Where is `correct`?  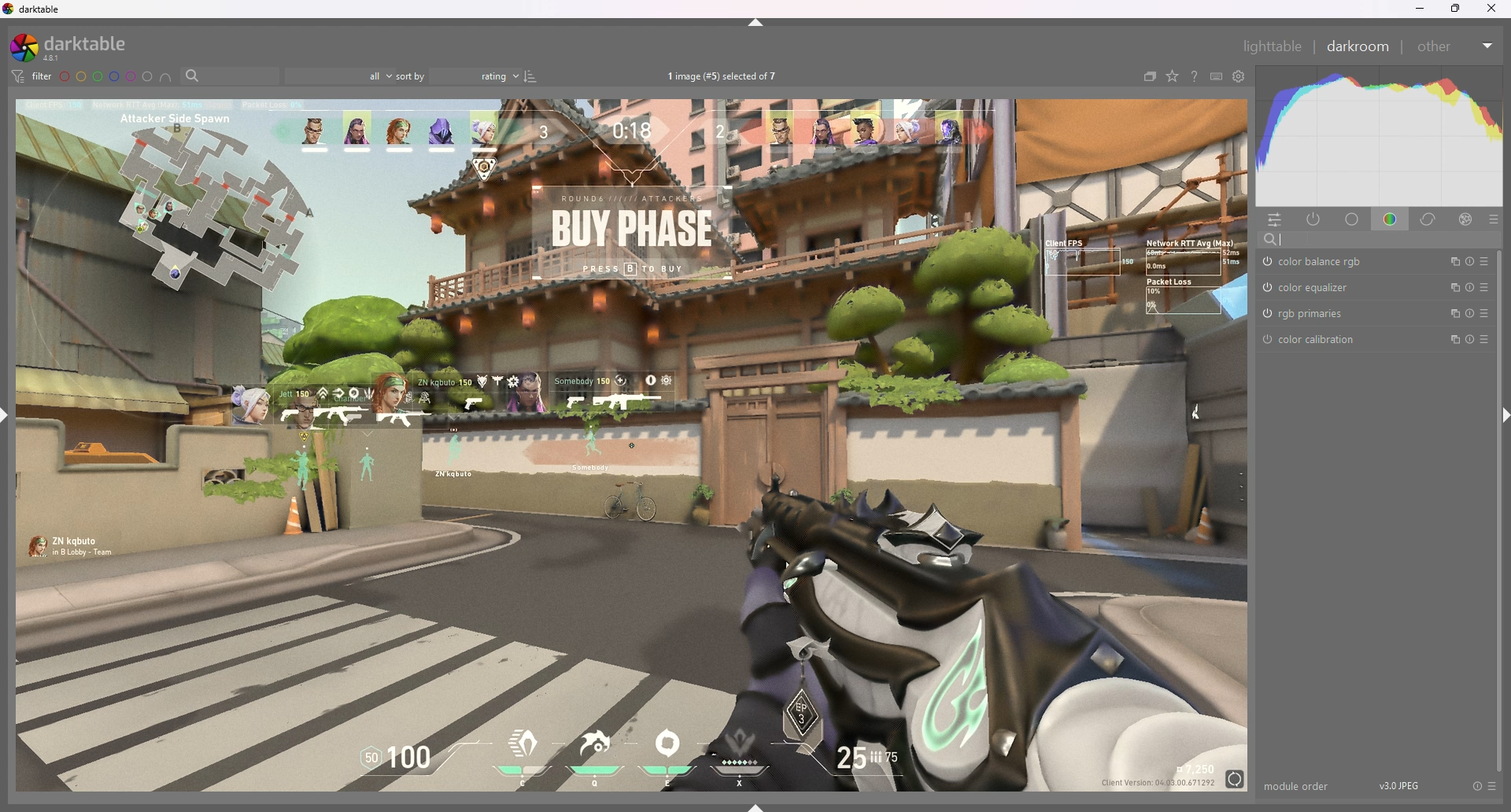 correct is located at coordinates (1430, 219).